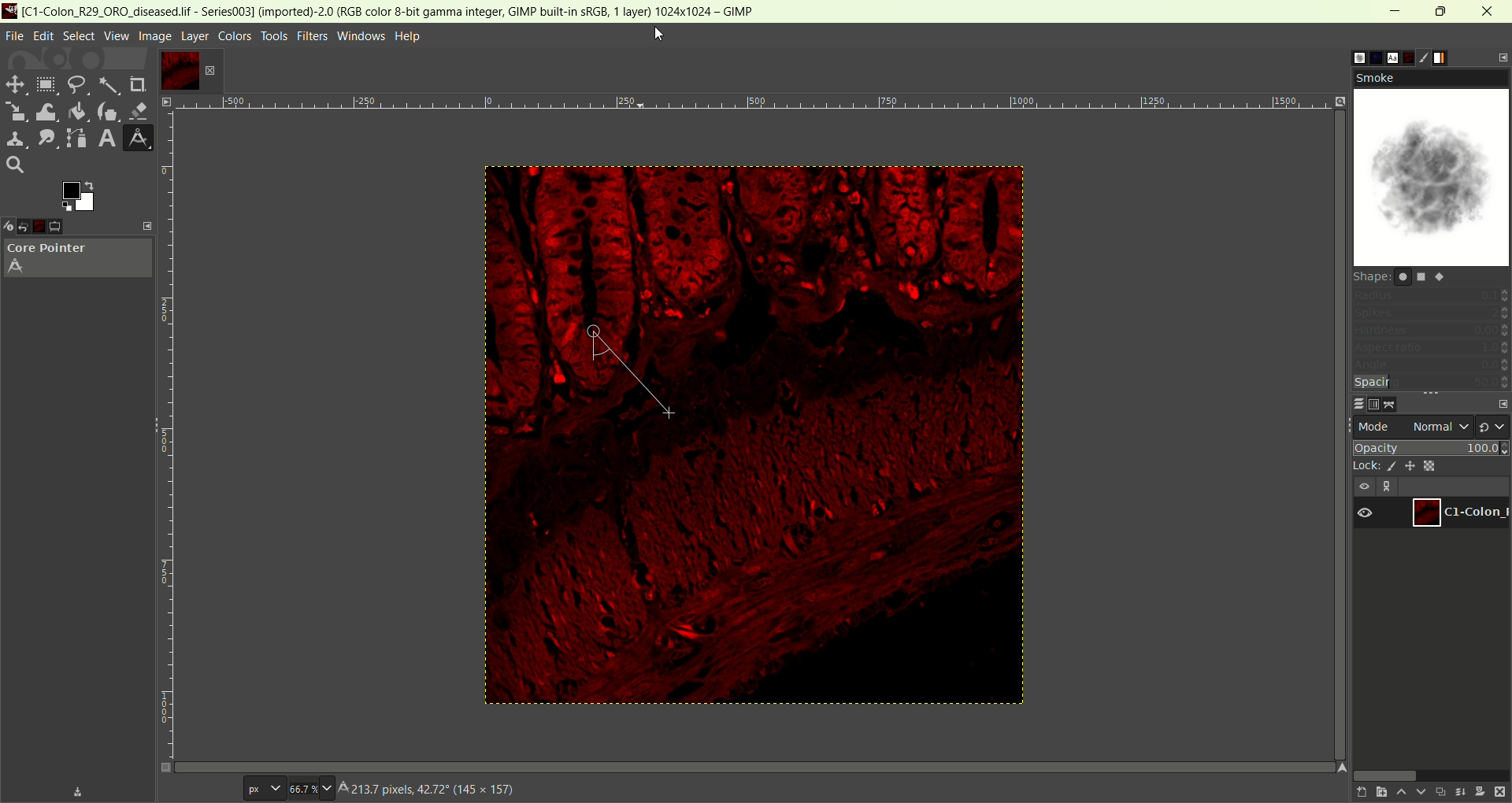  Describe the element at coordinates (1430, 56) in the screenshot. I see `brush` at that location.